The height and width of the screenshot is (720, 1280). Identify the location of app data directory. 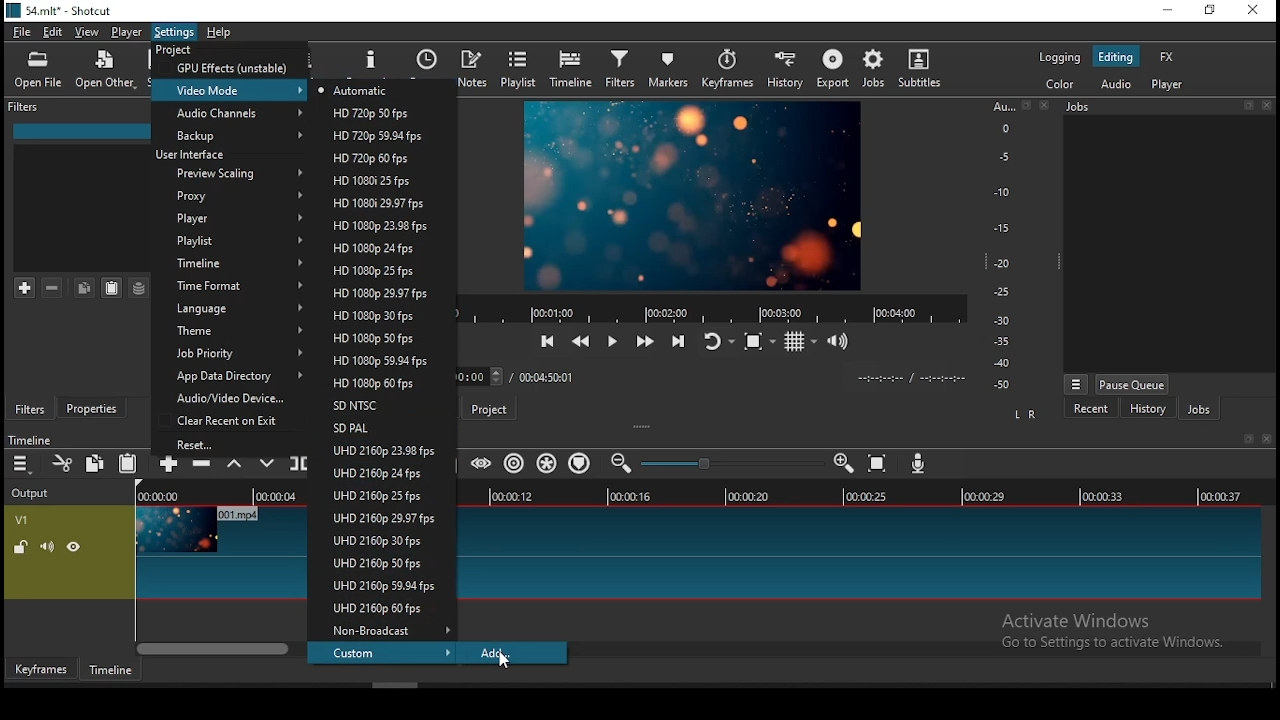
(230, 377).